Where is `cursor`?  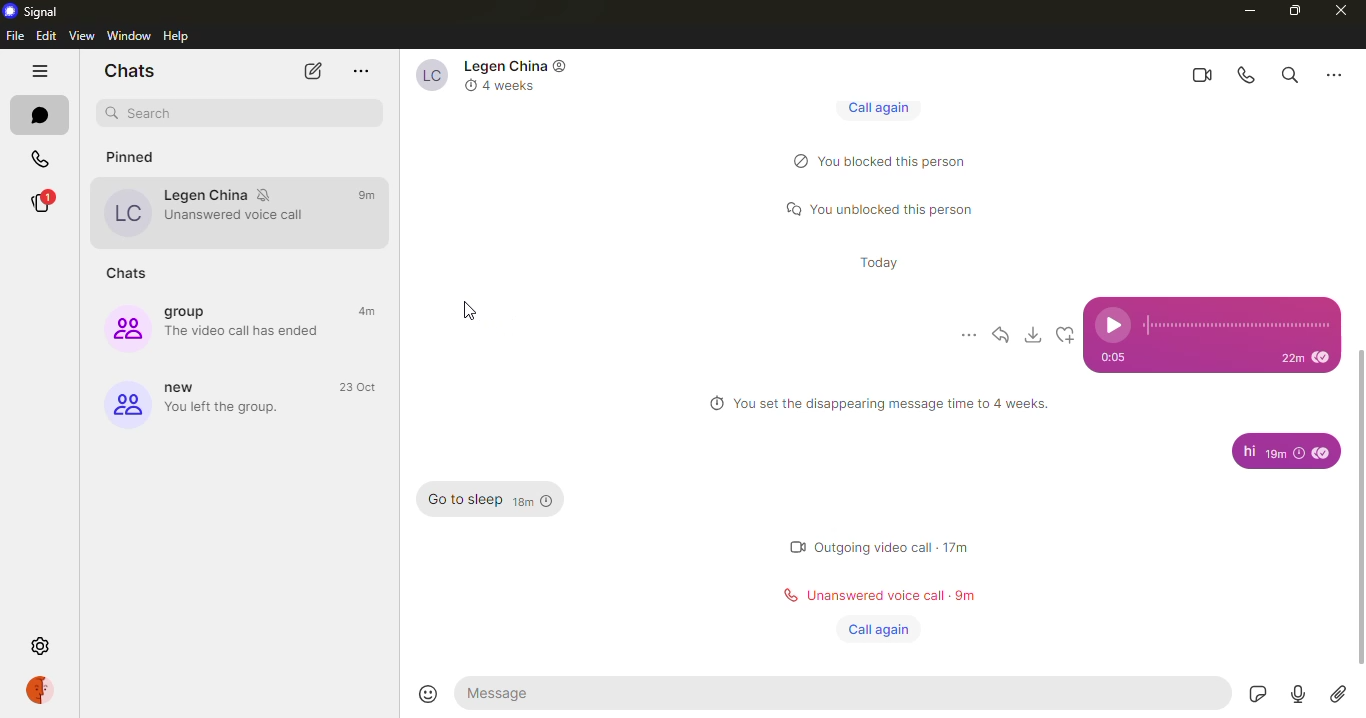 cursor is located at coordinates (468, 313).